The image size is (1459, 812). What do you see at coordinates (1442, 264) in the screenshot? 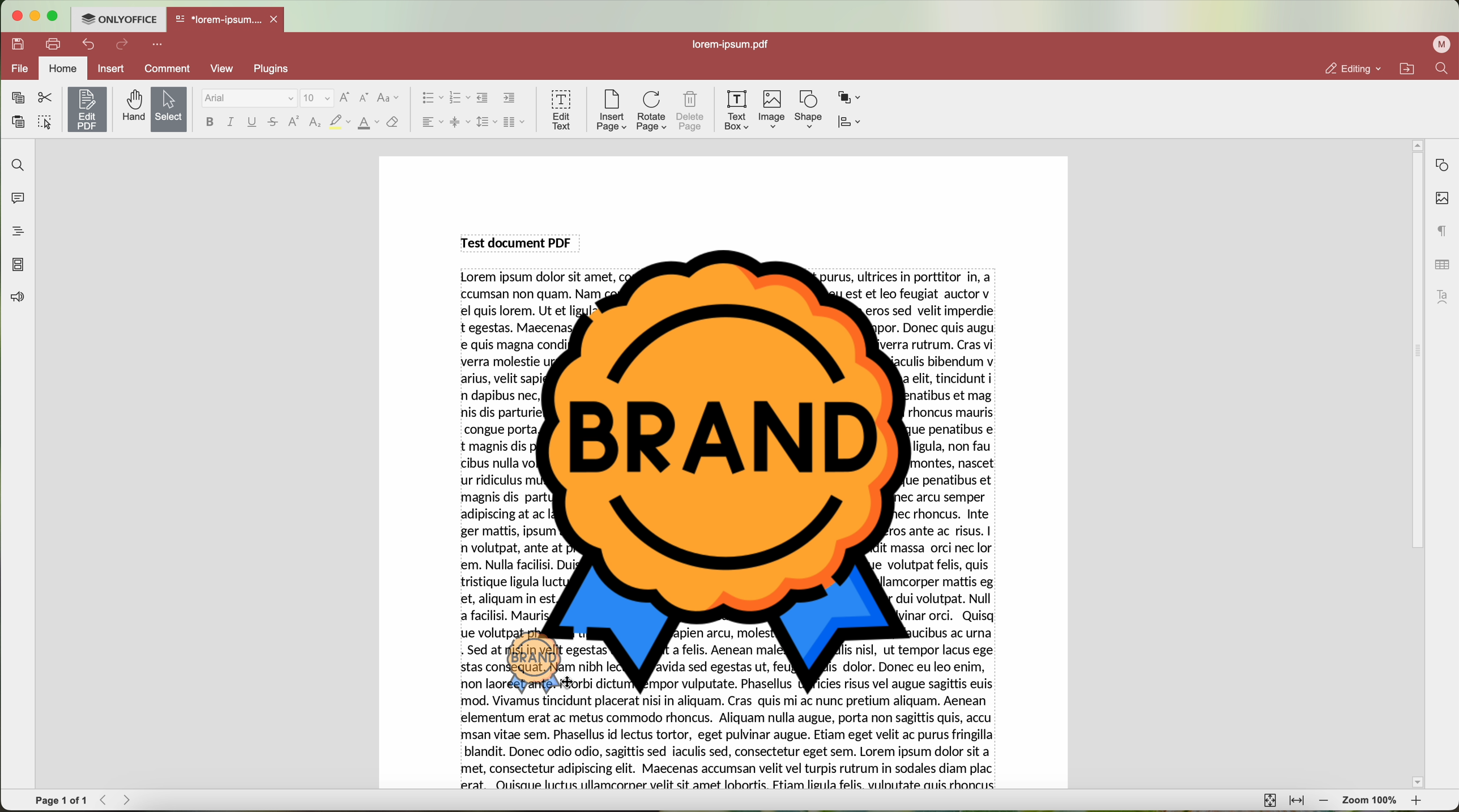
I see `table settings` at bounding box center [1442, 264].